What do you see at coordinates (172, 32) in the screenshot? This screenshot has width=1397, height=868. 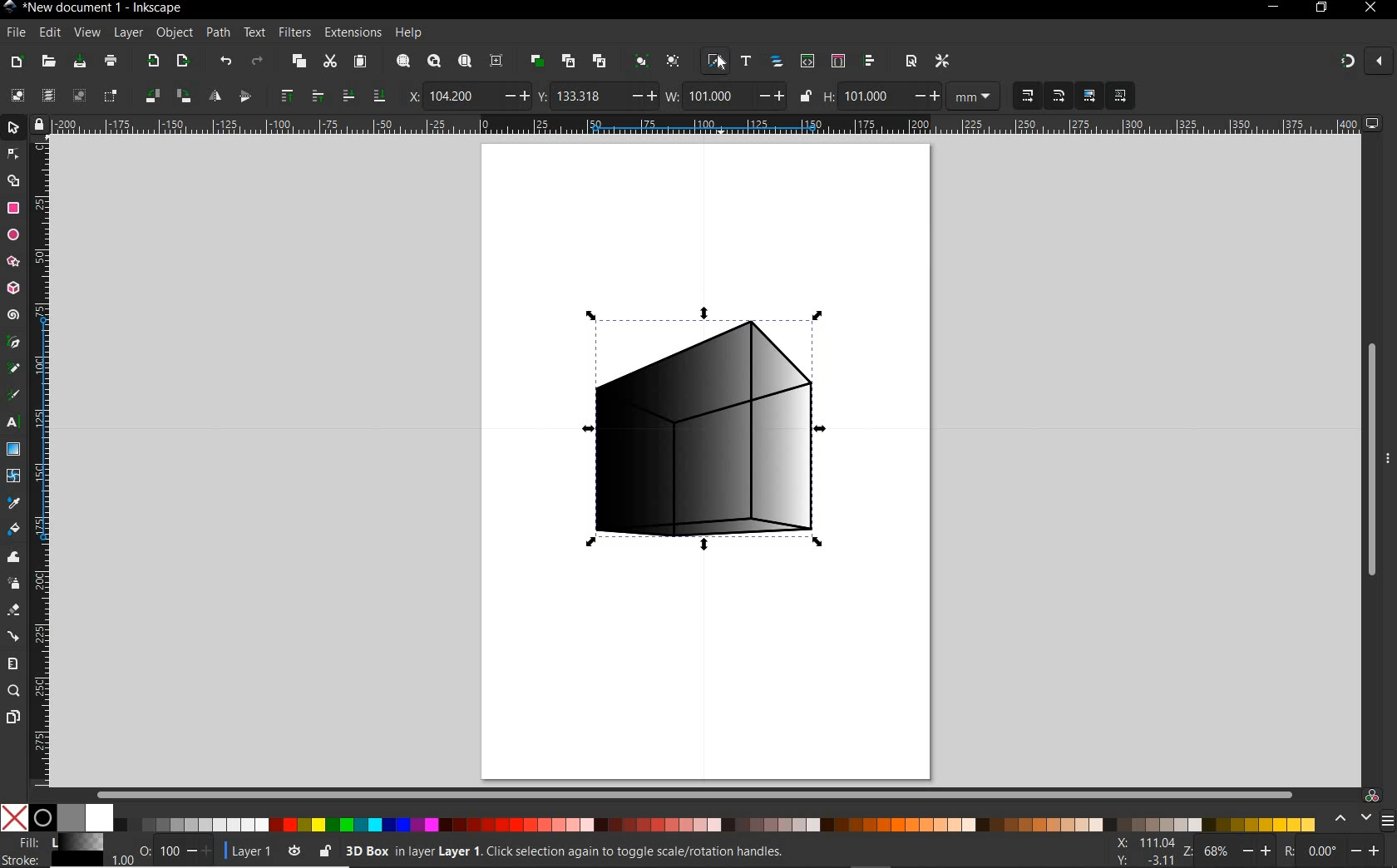 I see `OBJECT` at bounding box center [172, 32].